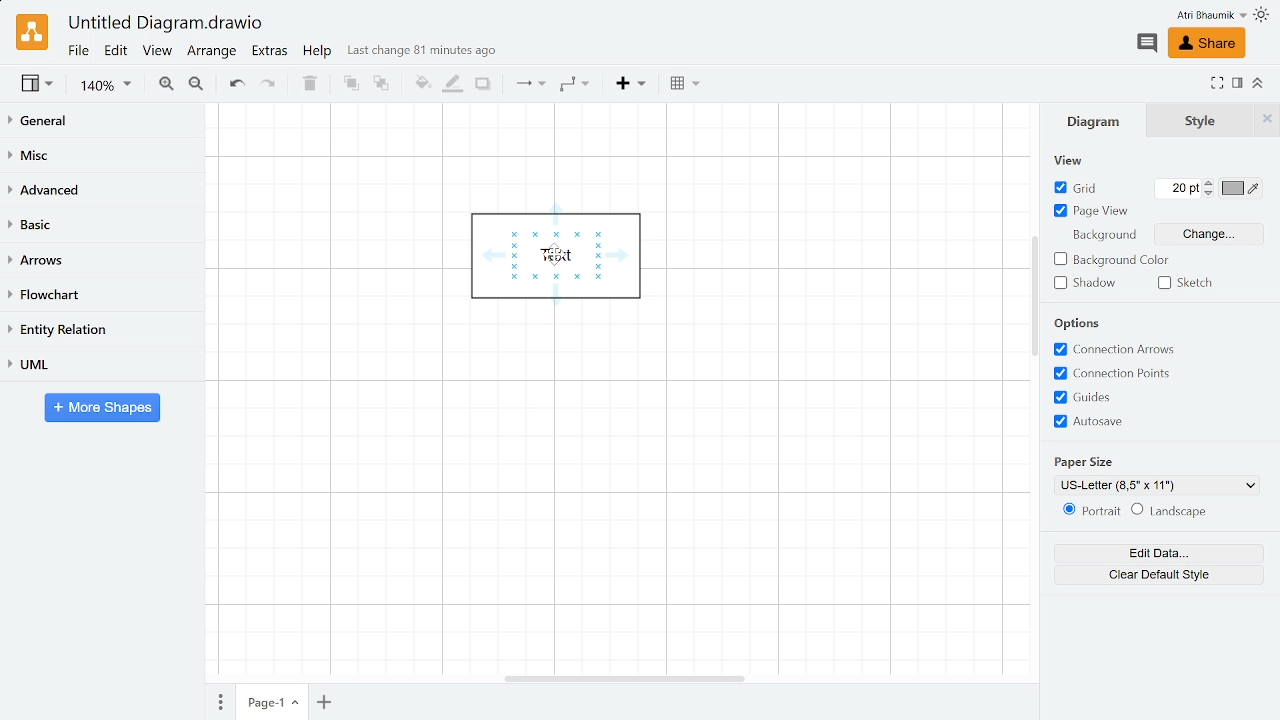  I want to click on paper size, so click(1087, 461).